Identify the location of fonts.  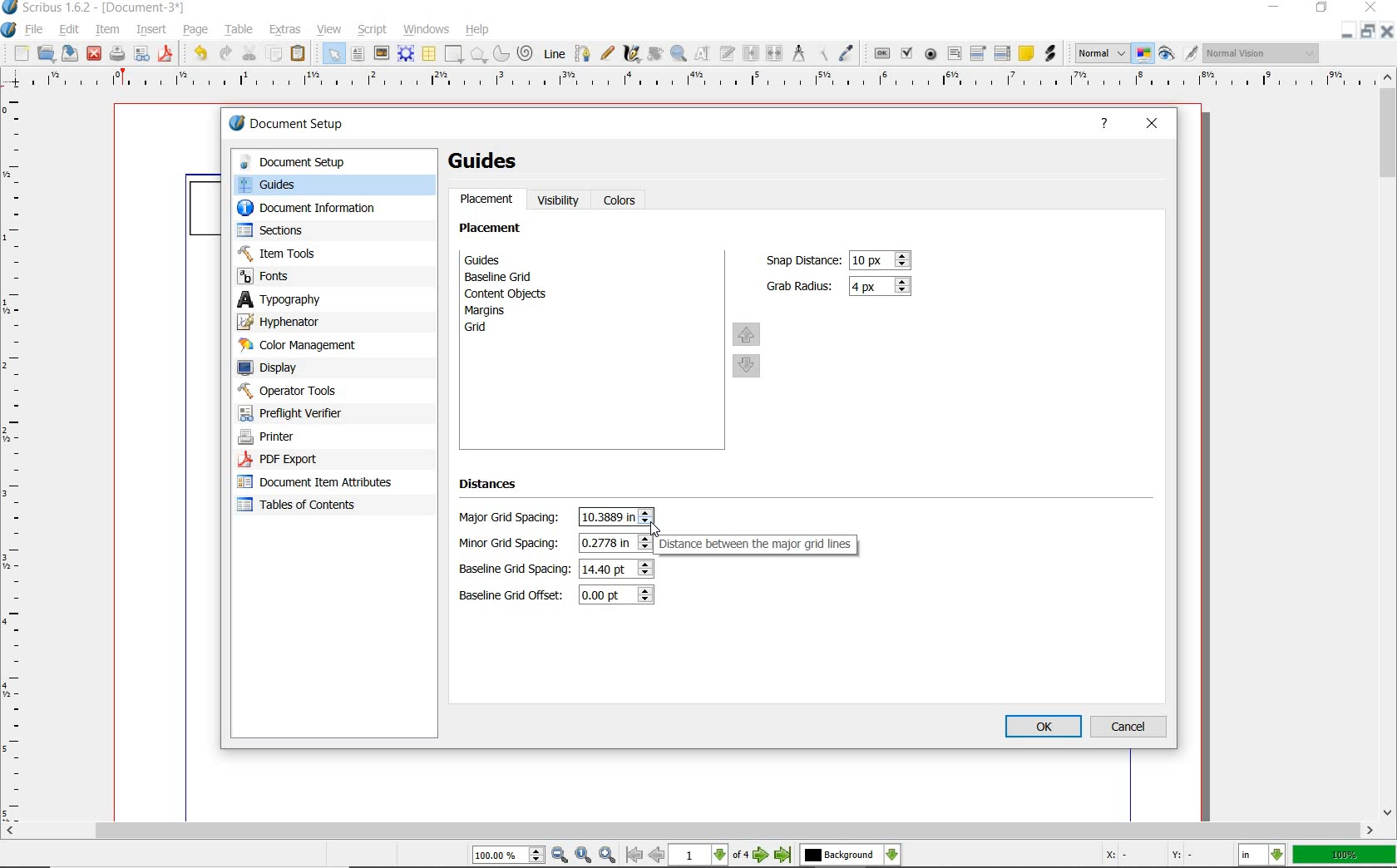
(334, 275).